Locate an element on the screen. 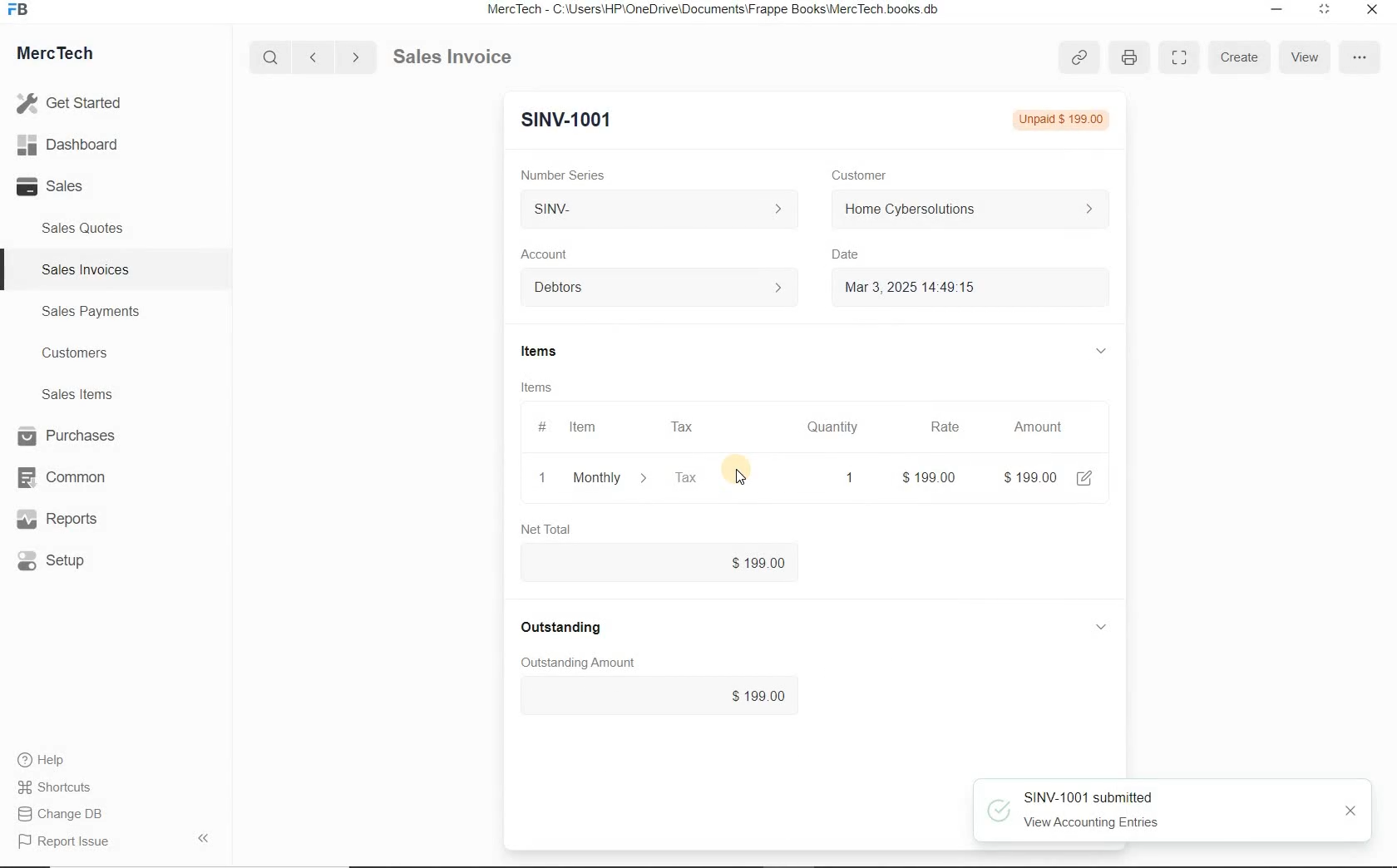 The height and width of the screenshot is (868, 1397). Common is located at coordinates (69, 476).